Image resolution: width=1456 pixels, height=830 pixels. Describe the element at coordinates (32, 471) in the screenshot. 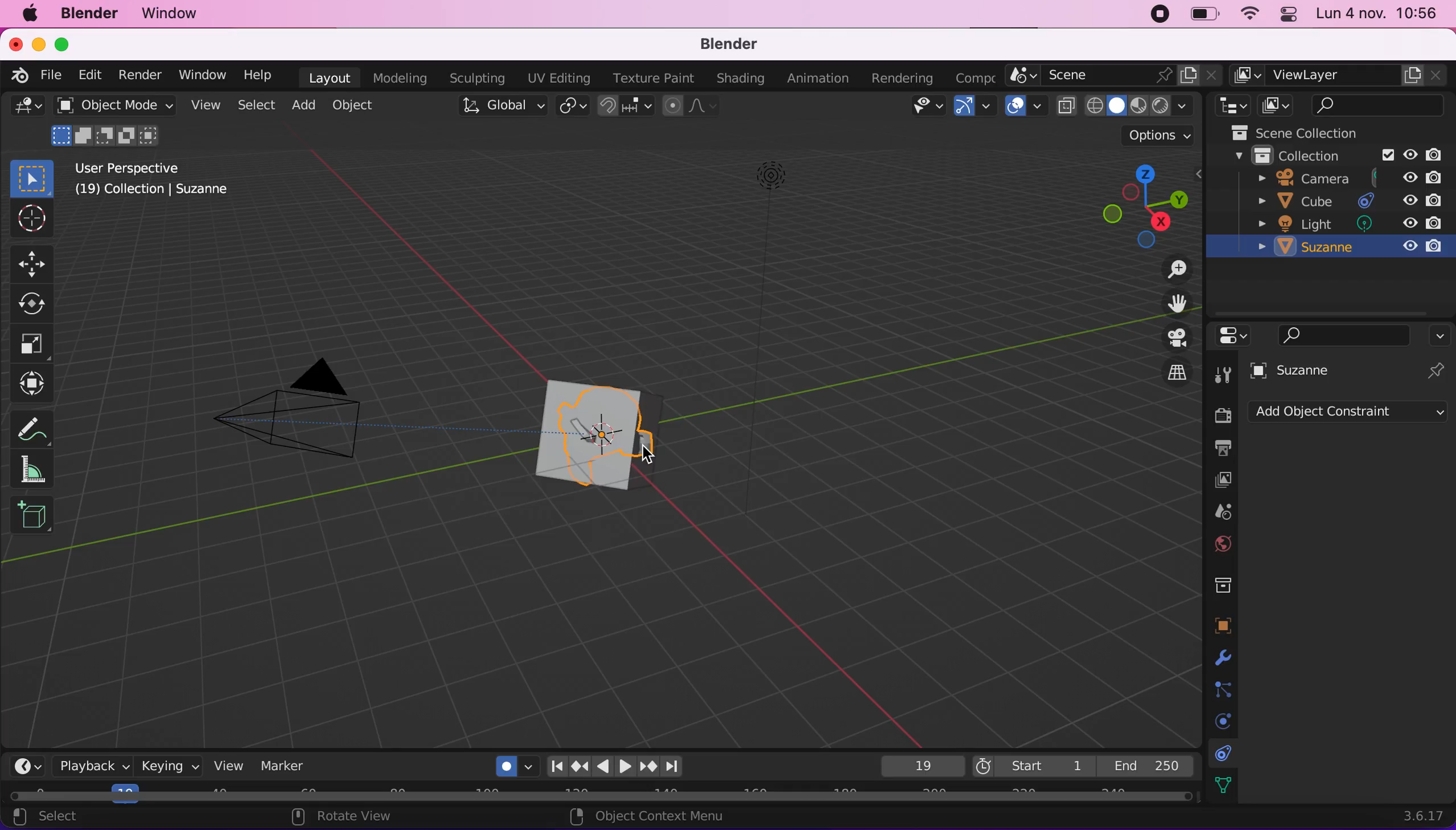

I see `measure` at that location.